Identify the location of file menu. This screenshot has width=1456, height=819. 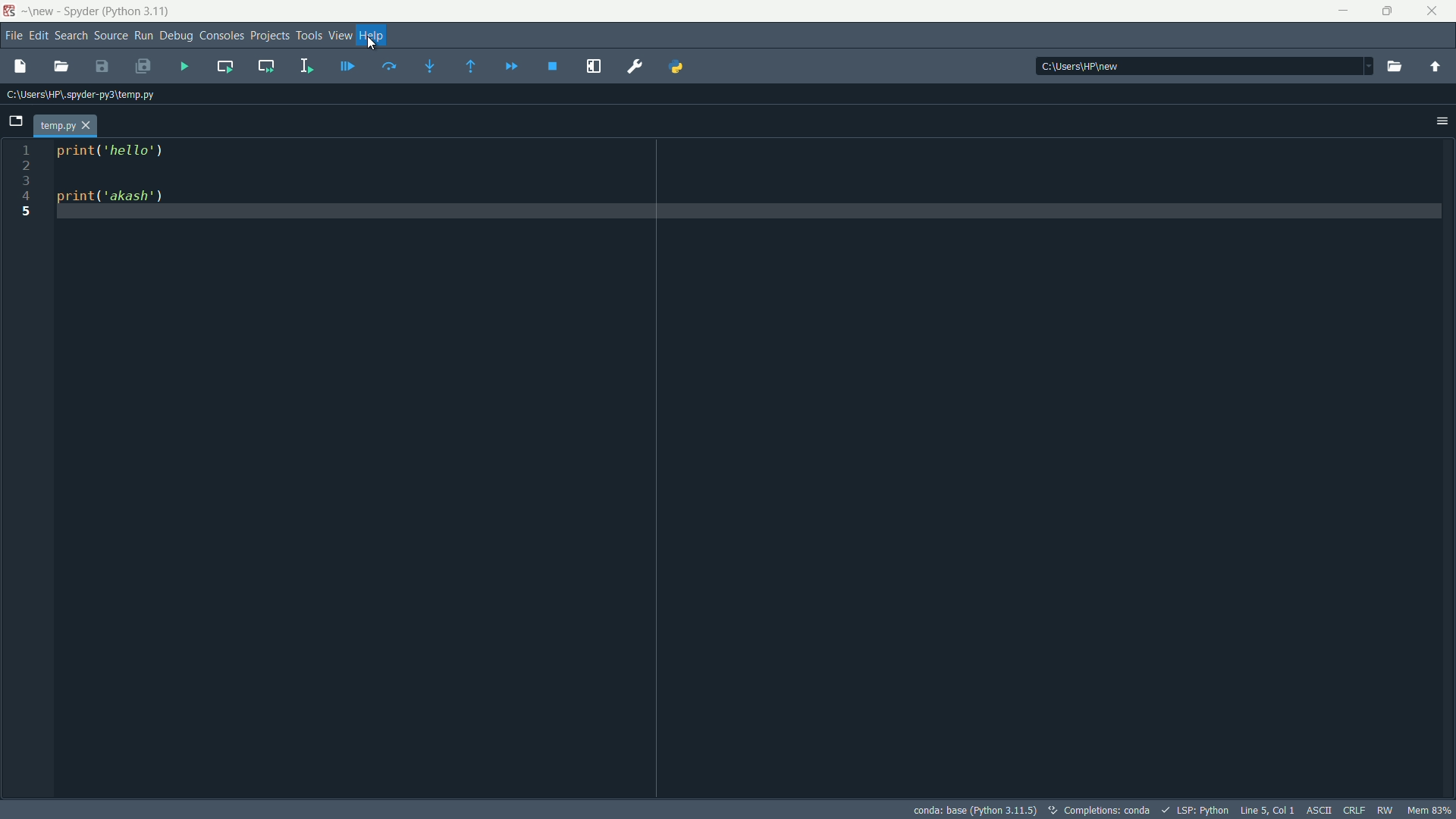
(12, 37).